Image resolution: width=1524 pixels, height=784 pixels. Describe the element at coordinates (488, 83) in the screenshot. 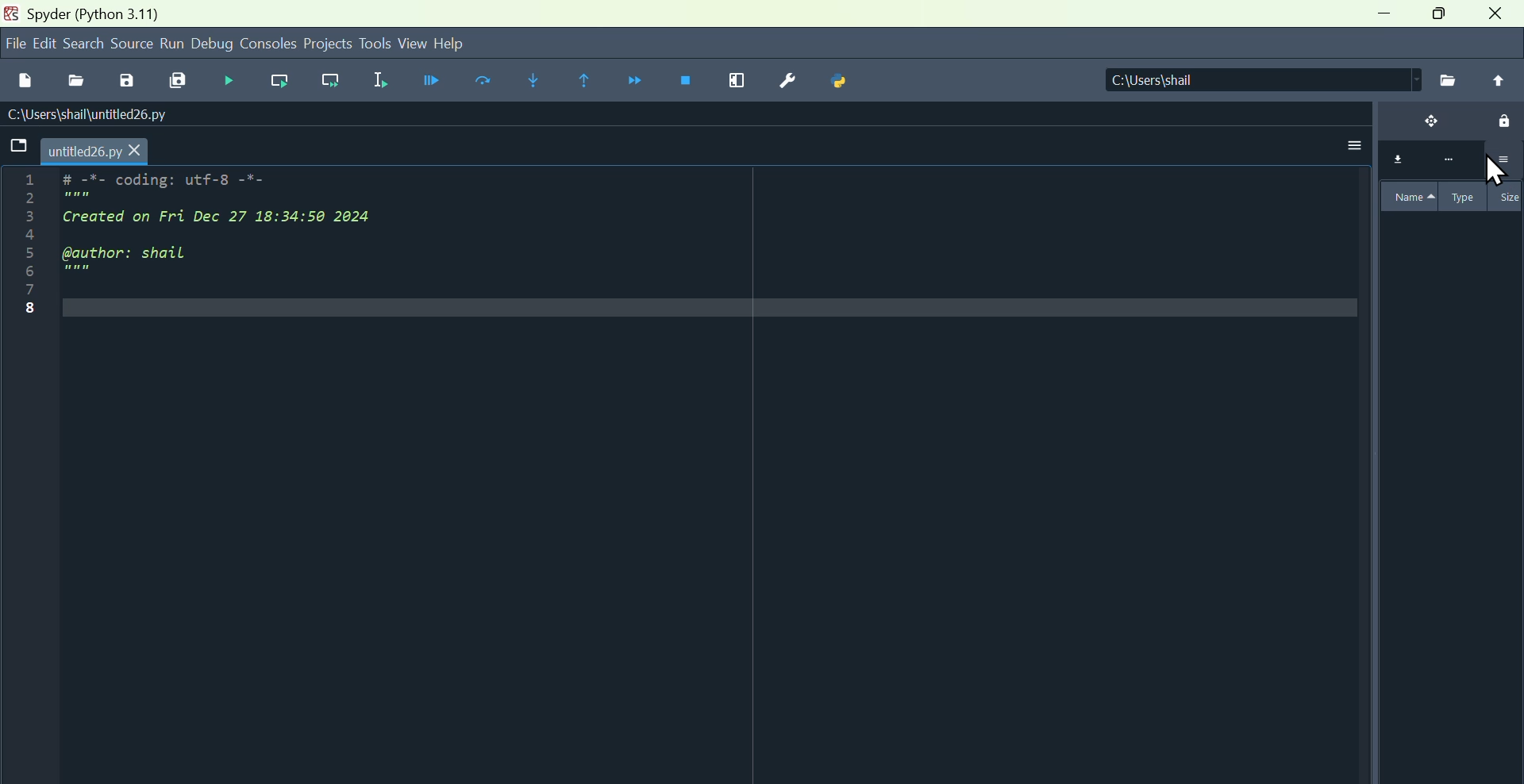

I see `Run cell` at that location.